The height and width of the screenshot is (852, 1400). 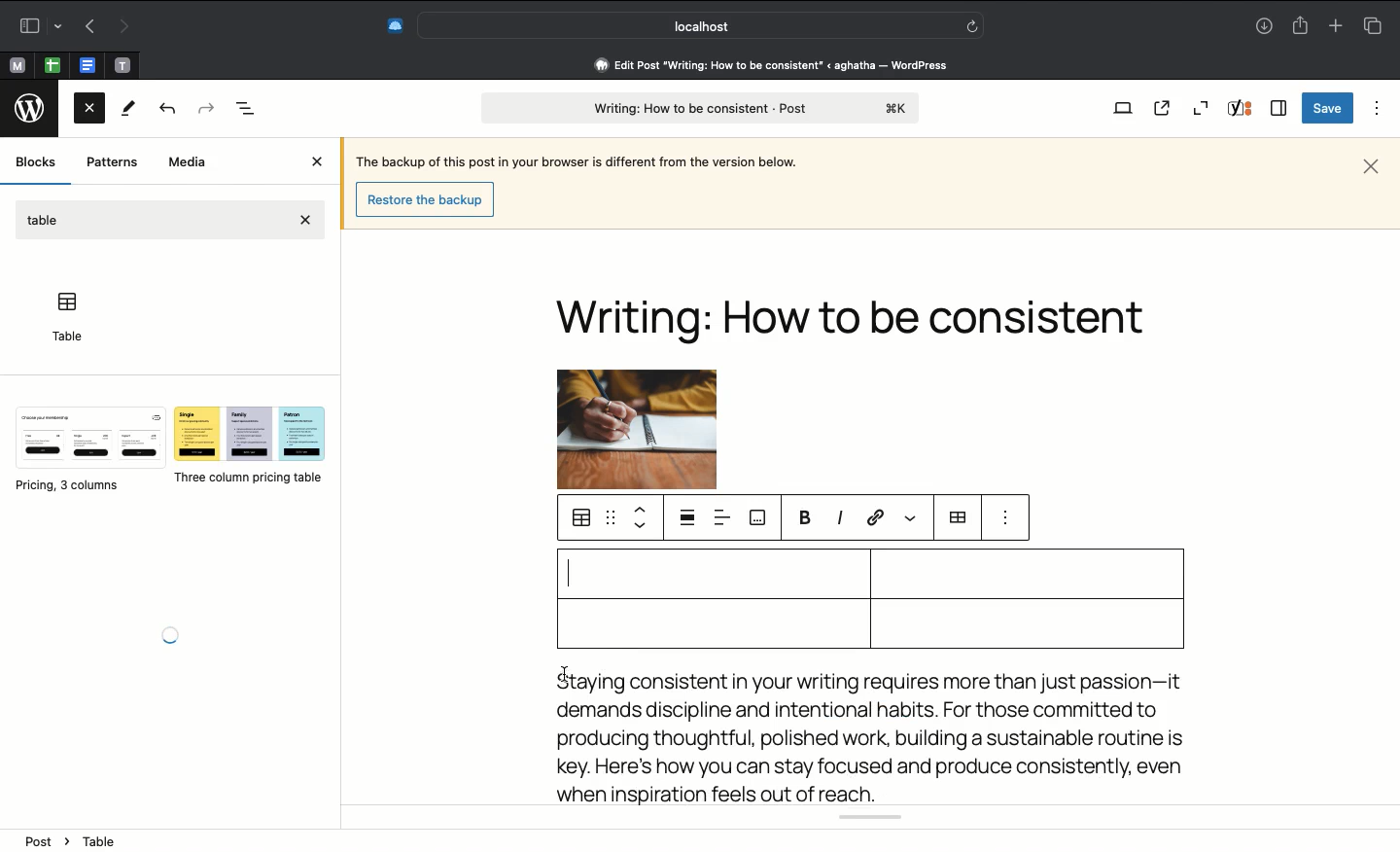 I want to click on Italics, so click(x=839, y=521).